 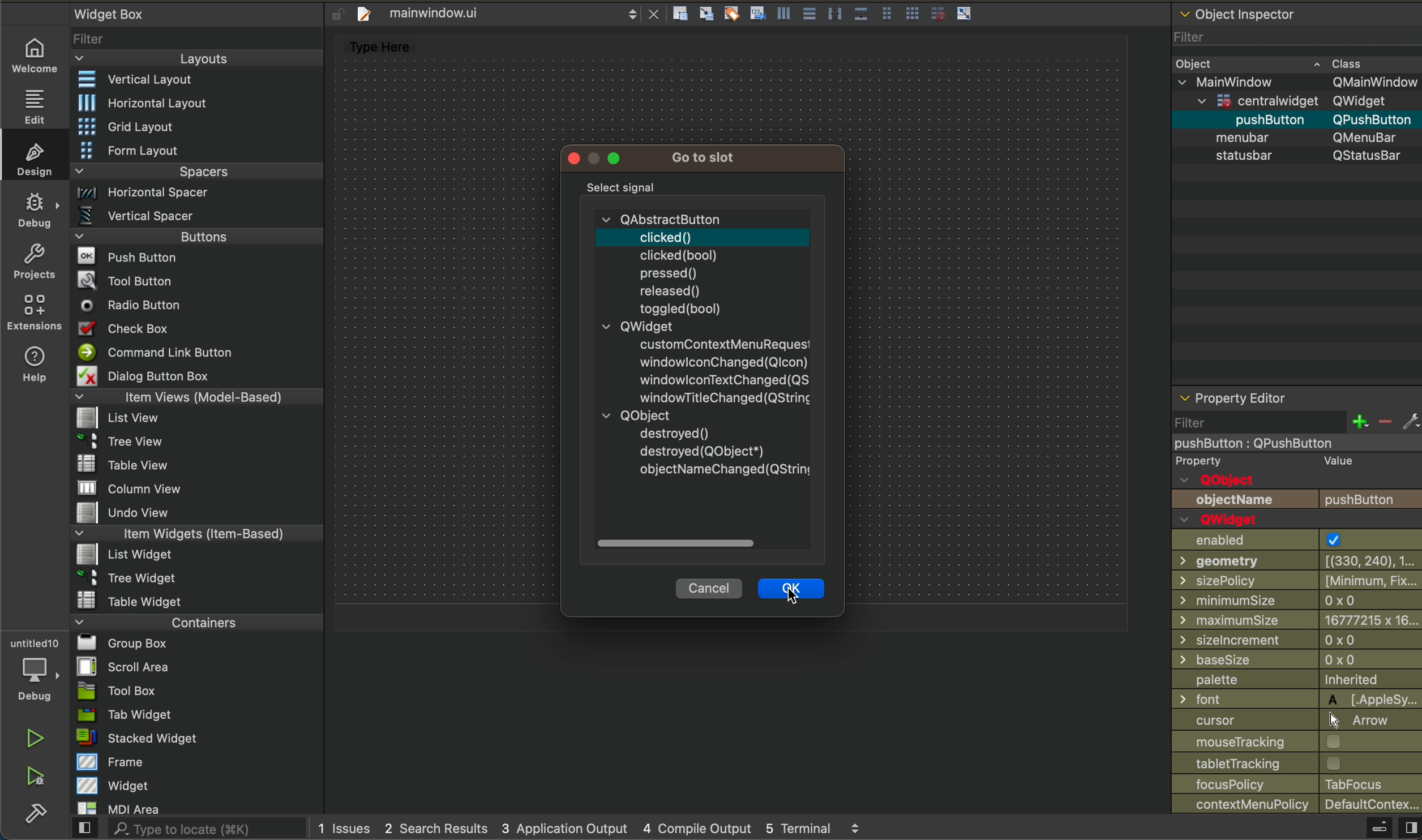 What do you see at coordinates (194, 170) in the screenshot?
I see `spacers` at bounding box center [194, 170].